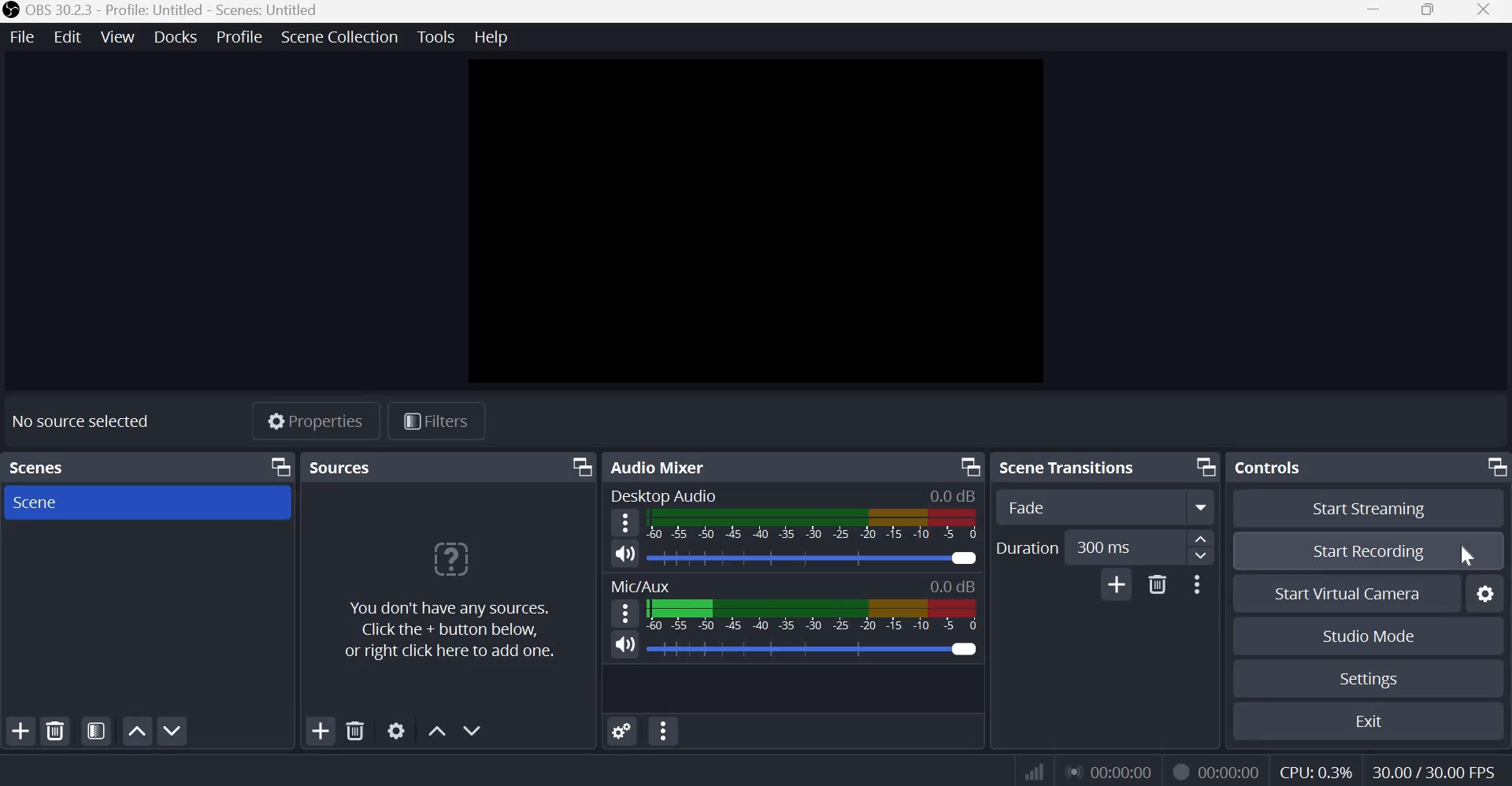  Describe the element at coordinates (51, 467) in the screenshot. I see `Scenes` at that location.